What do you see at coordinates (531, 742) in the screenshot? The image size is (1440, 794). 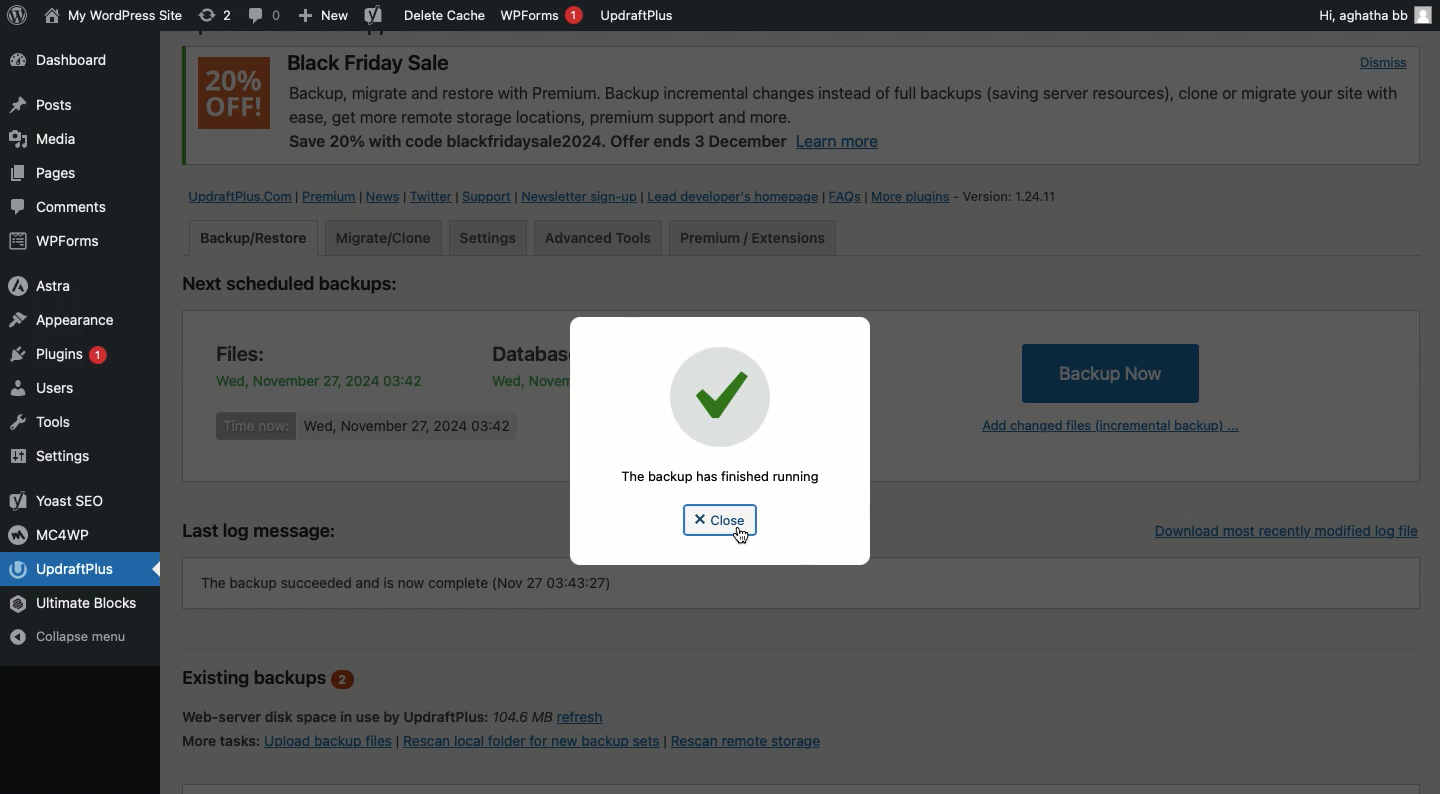 I see `Rescan local folder for new backup sets` at bounding box center [531, 742].